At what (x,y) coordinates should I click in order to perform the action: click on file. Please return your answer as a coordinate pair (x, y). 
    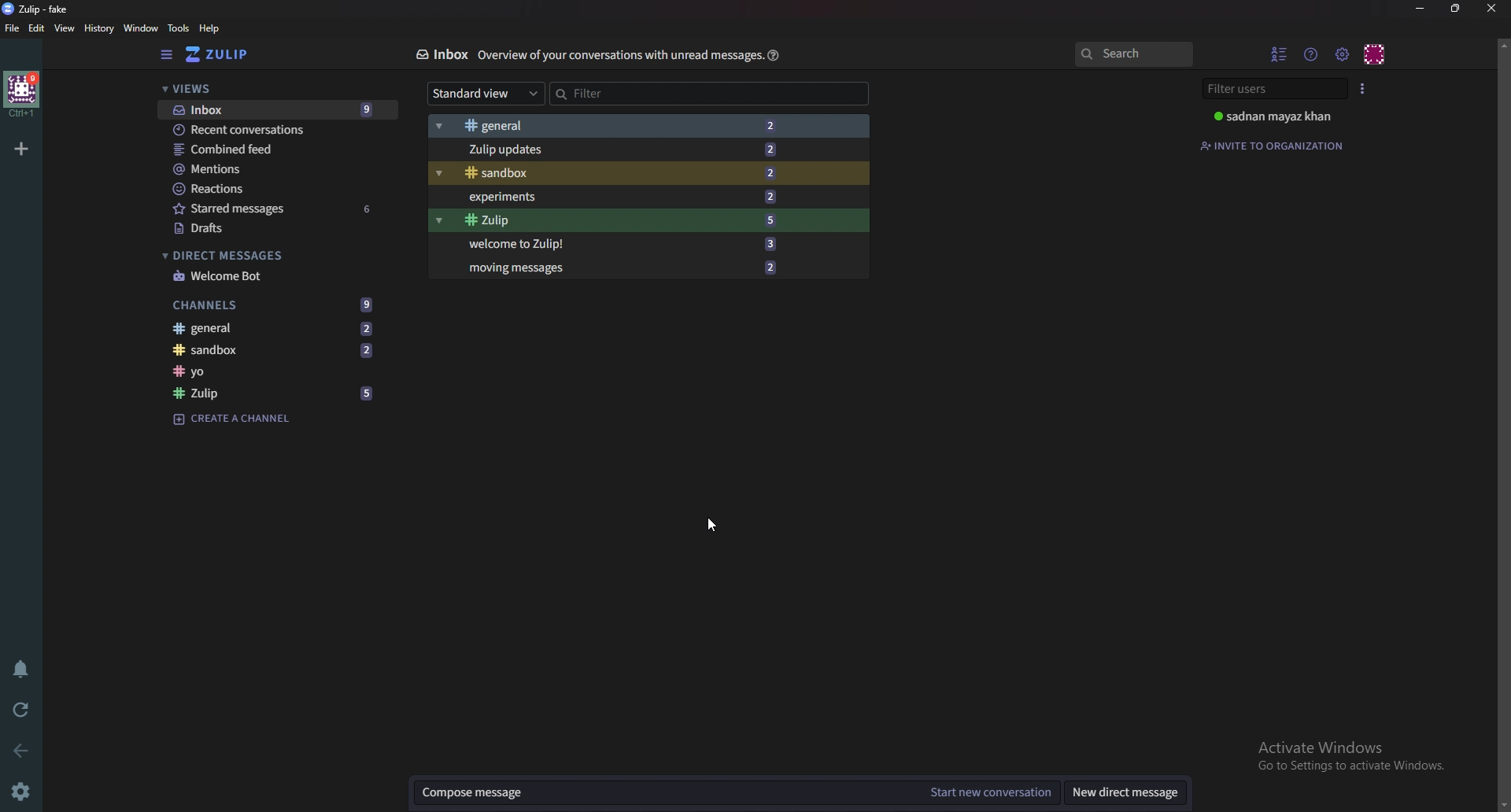
    Looking at the image, I should click on (13, 30).